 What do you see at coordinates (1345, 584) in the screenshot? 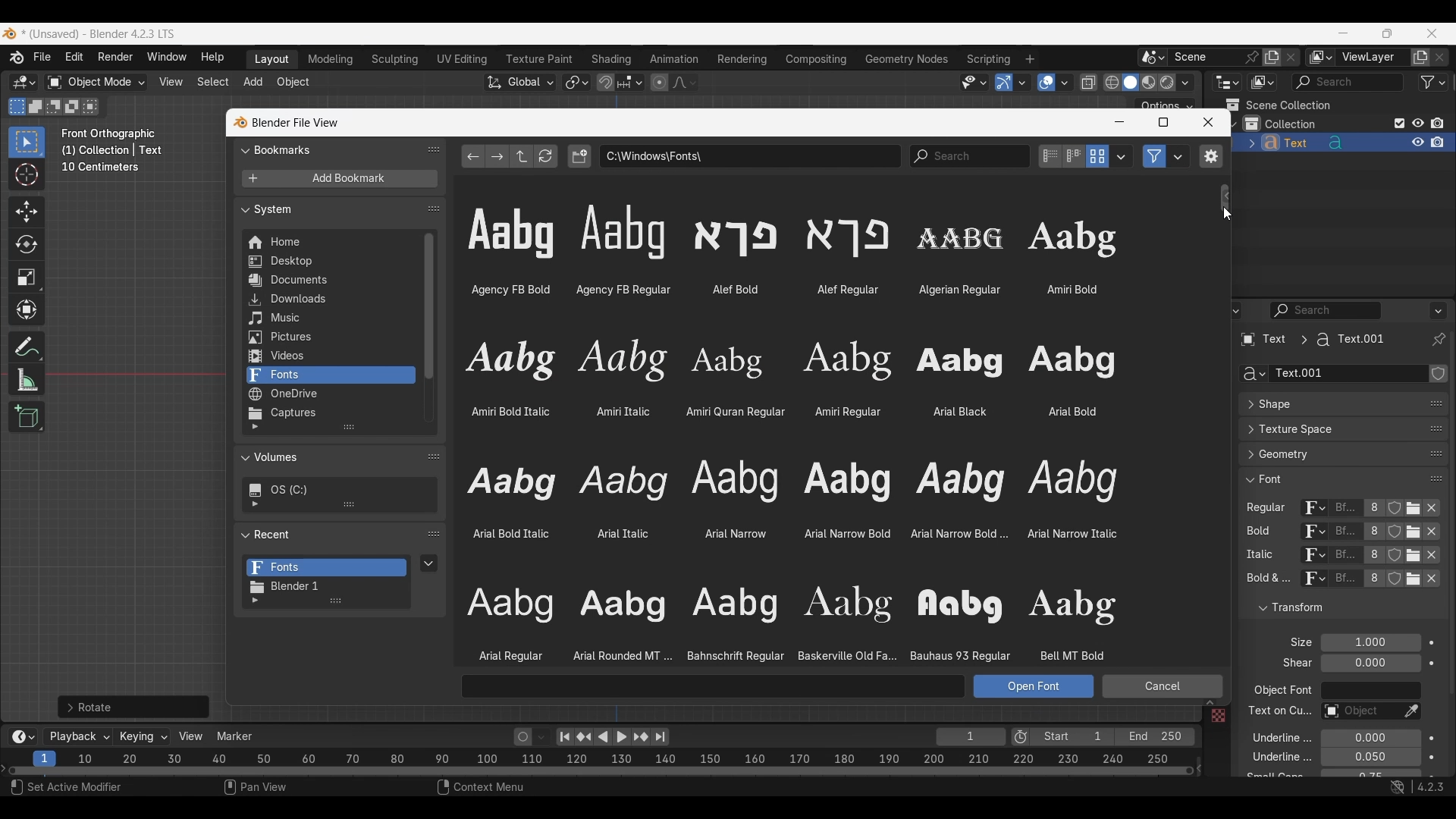
I see `name of current font` at bounding box center [1345, 584].